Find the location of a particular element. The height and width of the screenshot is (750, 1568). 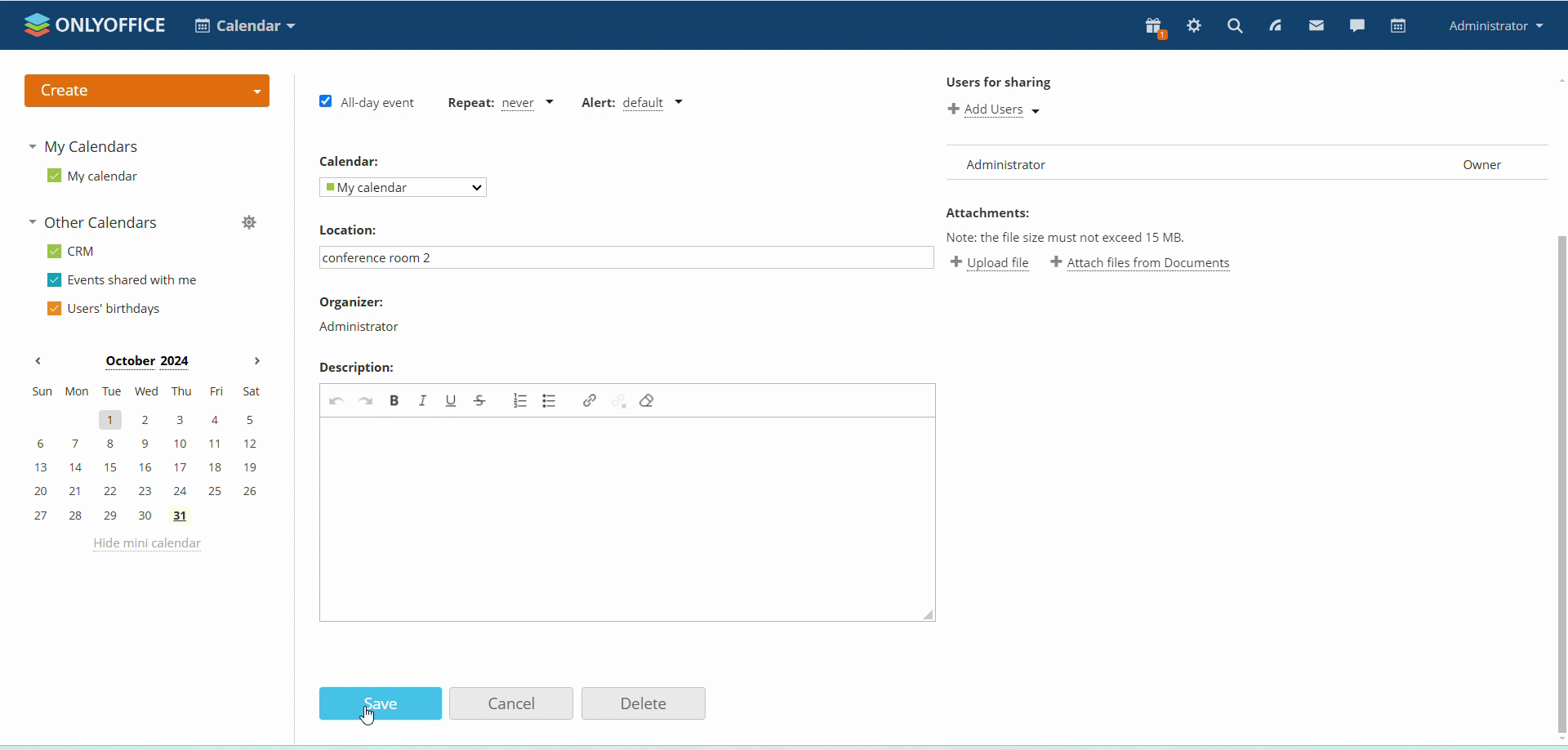

users' birthdays is located at coordinates (103, 310).